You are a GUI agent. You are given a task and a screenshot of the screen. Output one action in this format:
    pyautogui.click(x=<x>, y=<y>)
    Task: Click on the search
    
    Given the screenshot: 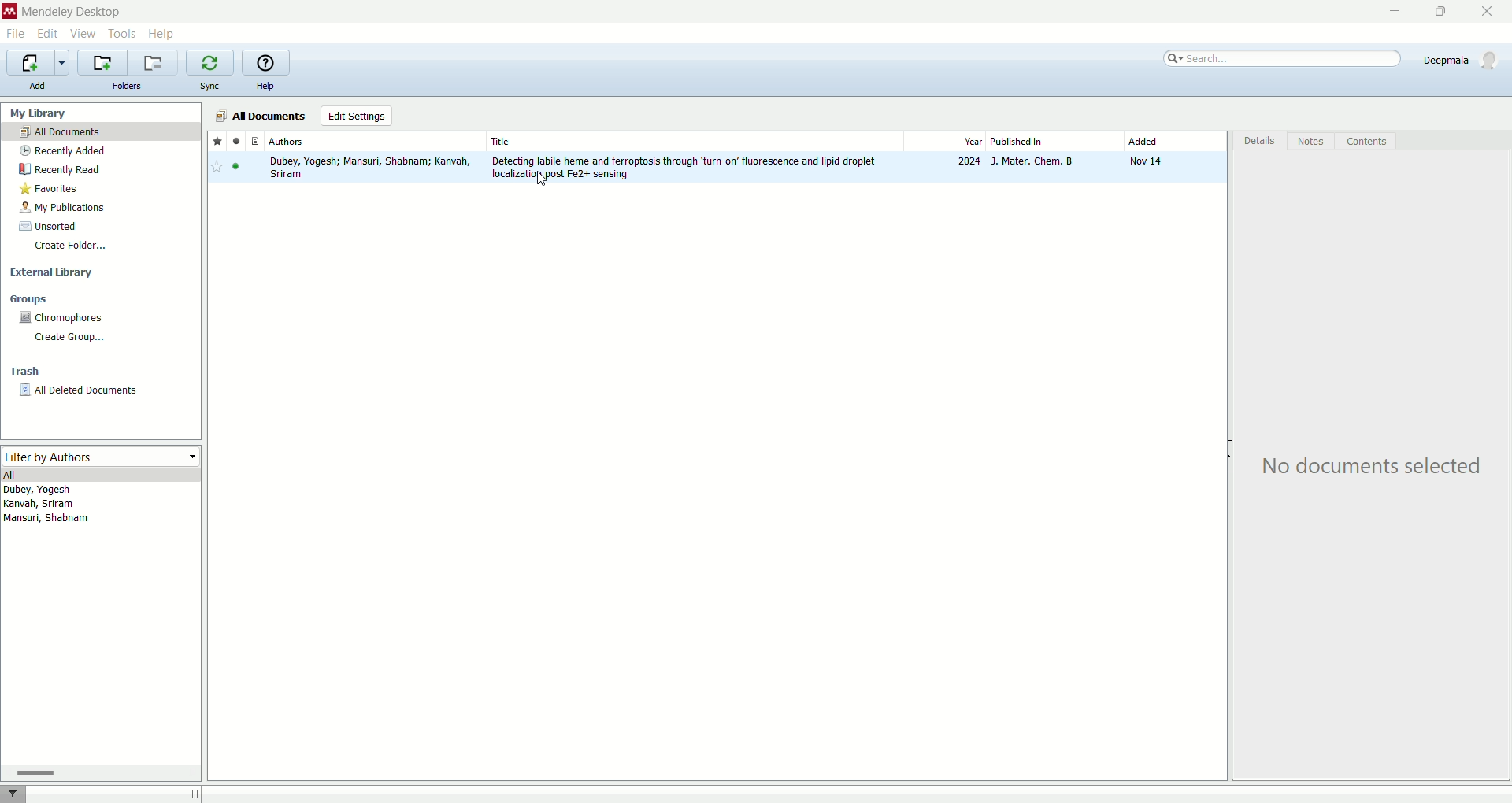 What is the action you would take?
    pyautogui.click(x=1284, y=57)
    